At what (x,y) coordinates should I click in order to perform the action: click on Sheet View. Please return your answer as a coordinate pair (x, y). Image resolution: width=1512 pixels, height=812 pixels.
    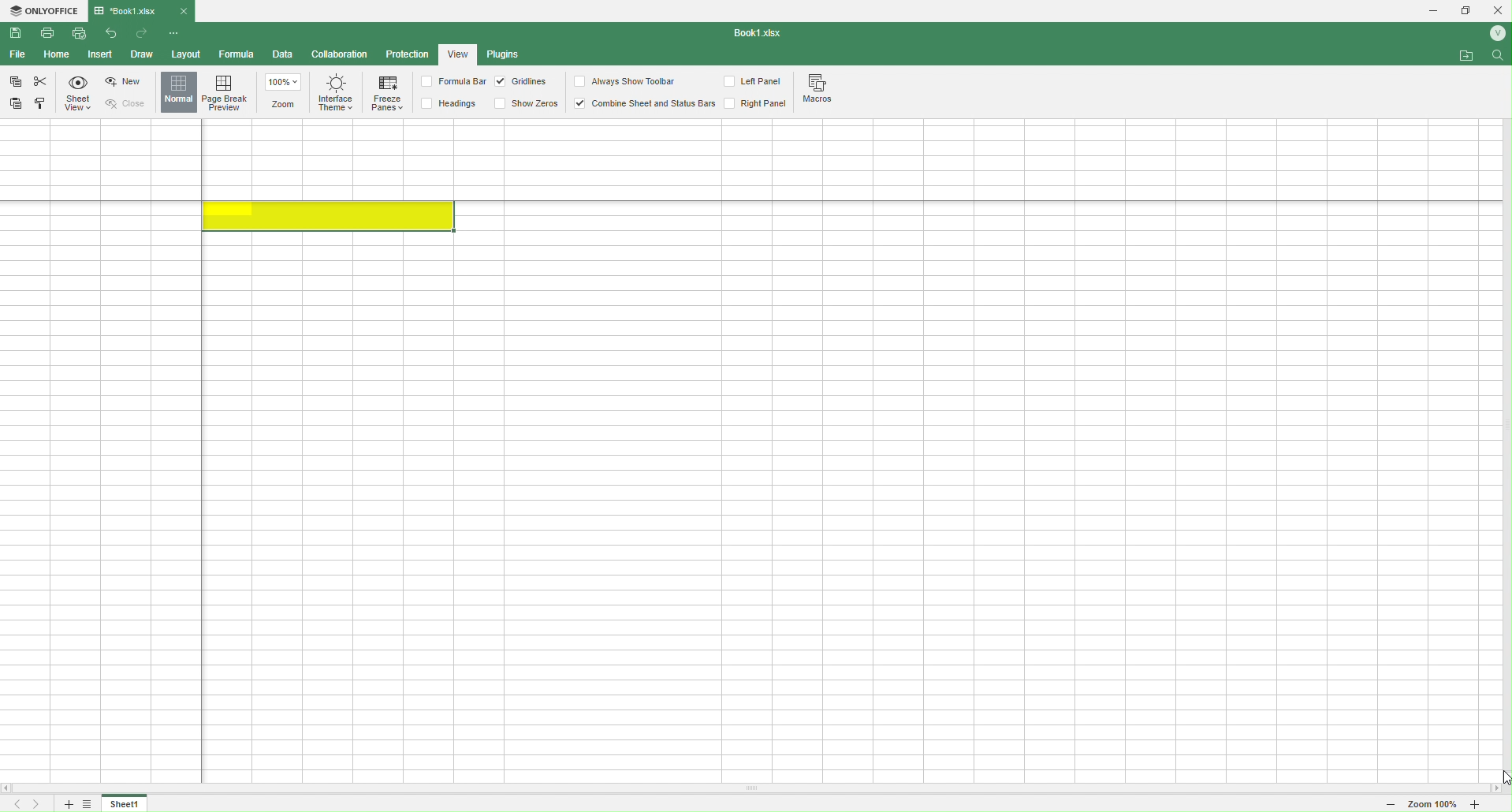
    Looking at the image, I should click on (80, 95).